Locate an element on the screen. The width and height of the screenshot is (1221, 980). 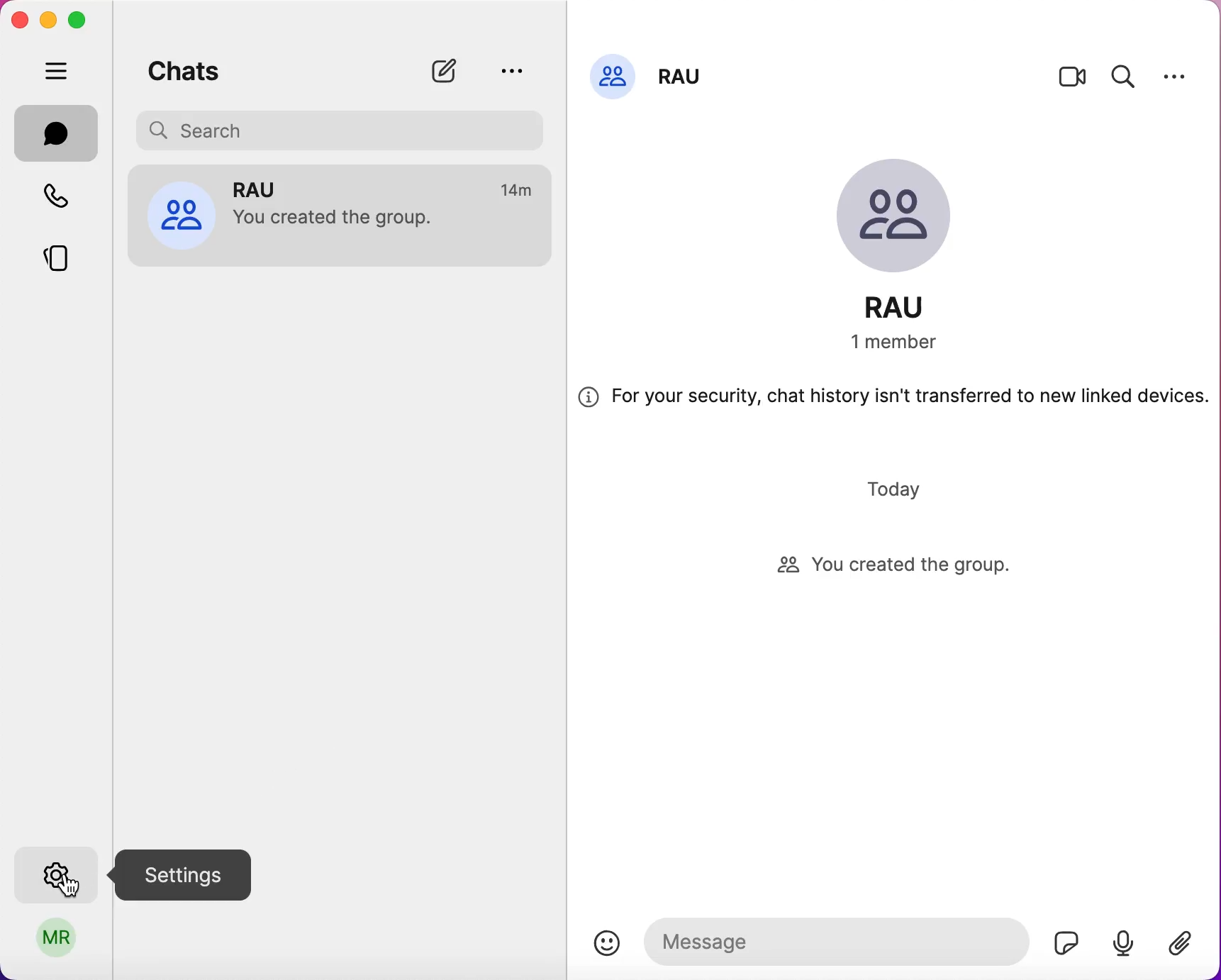
today is located at coordinates (886, 492).